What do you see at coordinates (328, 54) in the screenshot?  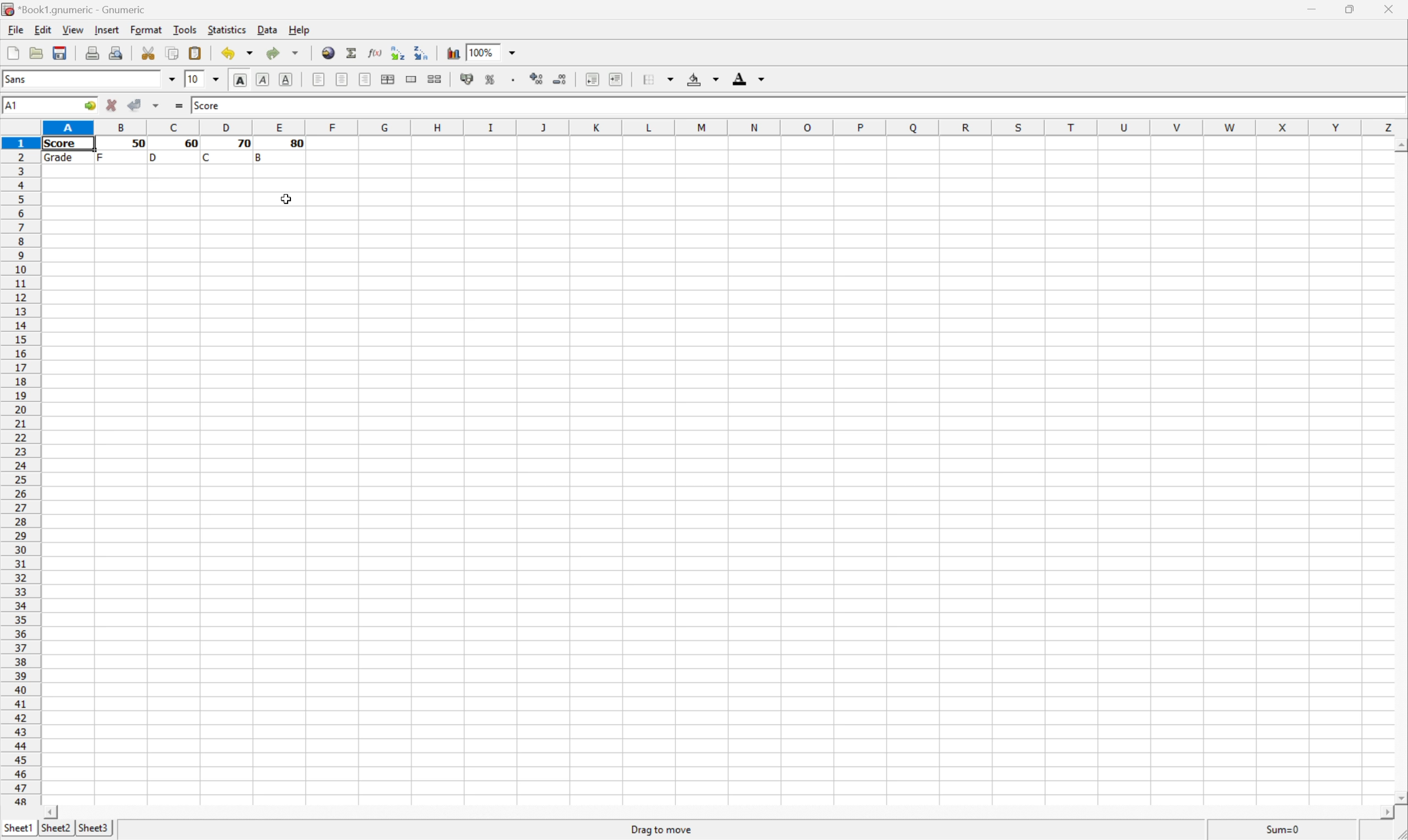 I see `Insert Hyperlink` at bounding box center [328, 54].